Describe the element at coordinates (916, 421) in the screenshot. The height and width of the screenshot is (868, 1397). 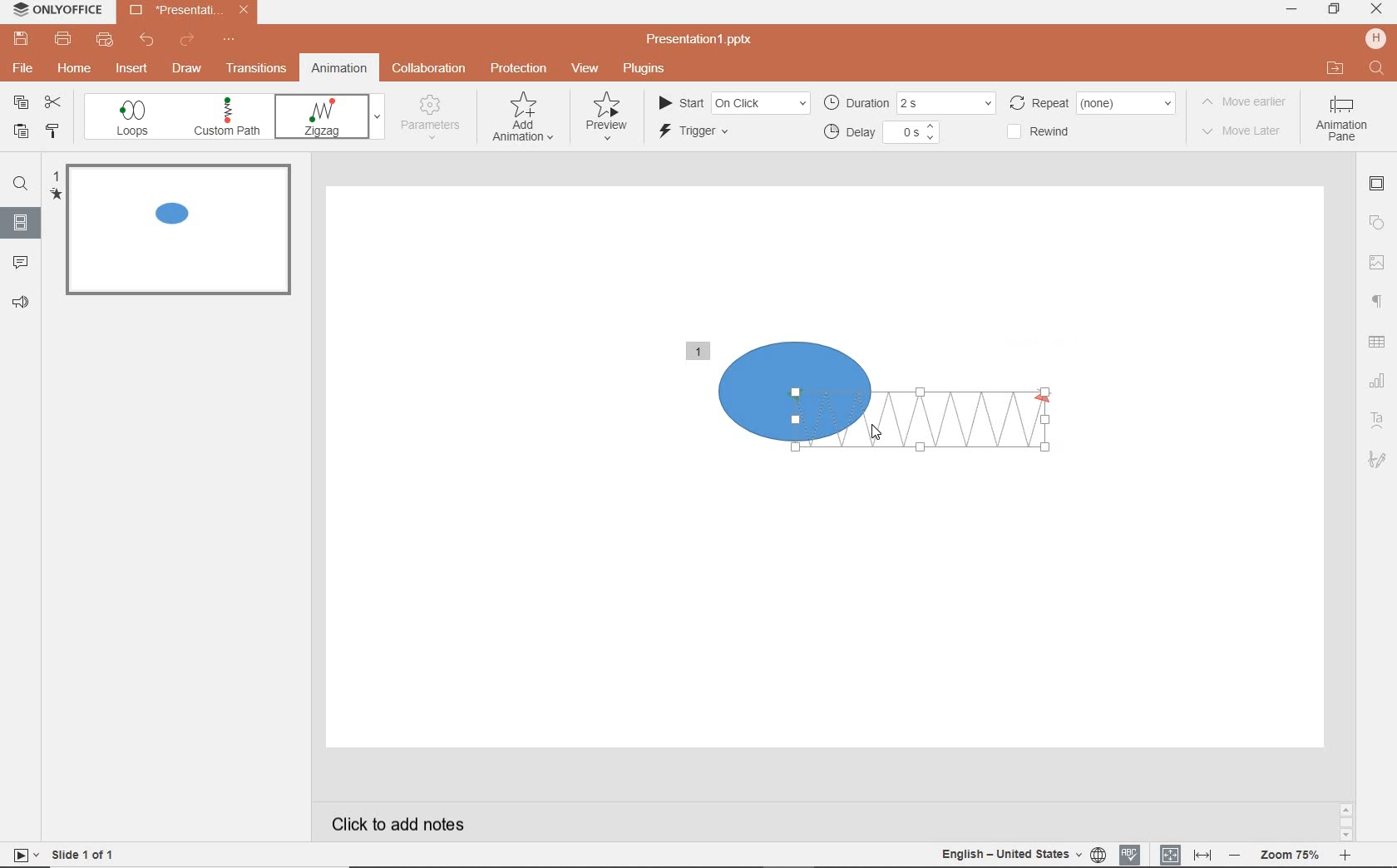
I see `zigzag animation` at that location.